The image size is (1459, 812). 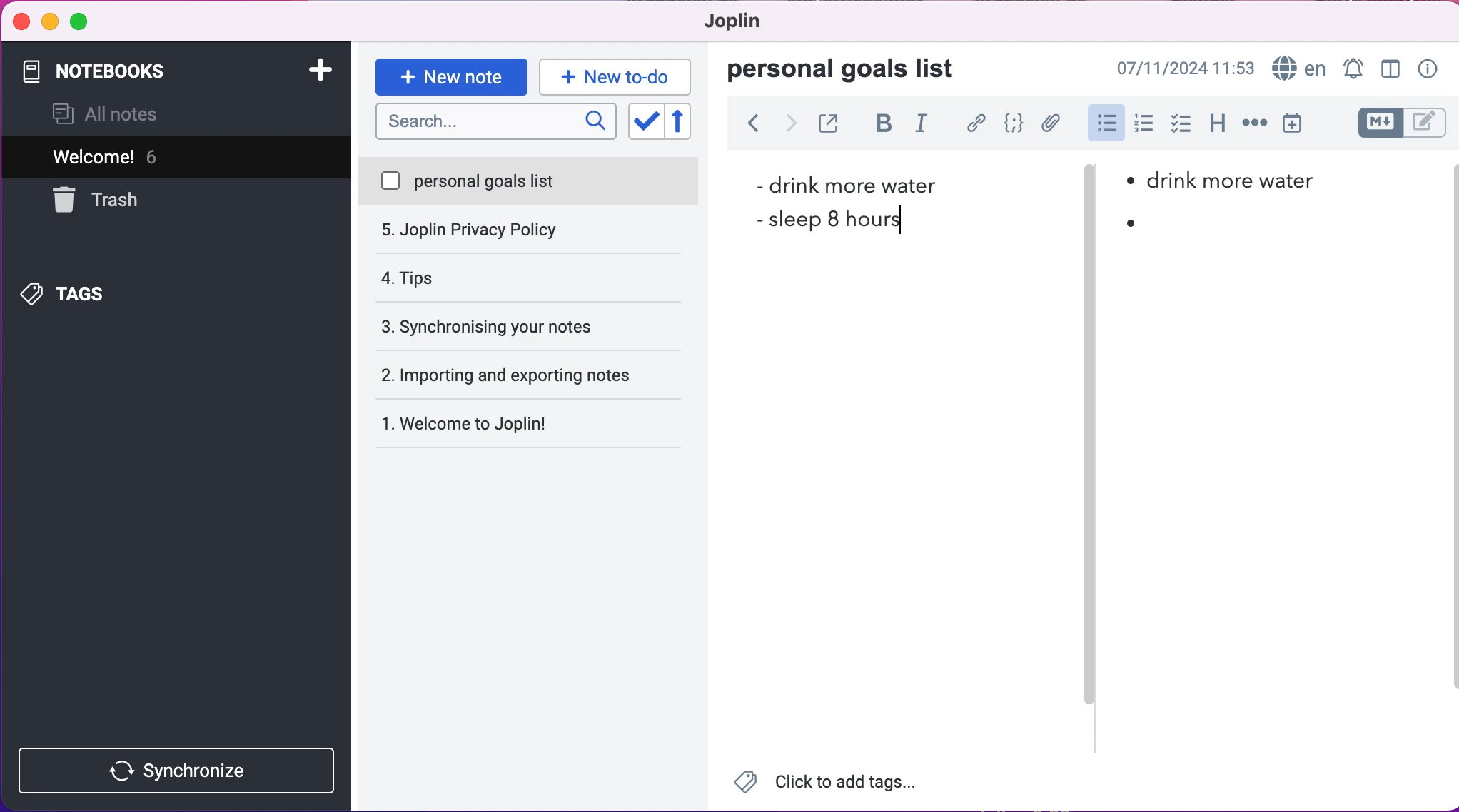 What do you see at coordinates (620, 76) in the screenshot?
I see `new to-do` at bounding box center [620, 76].